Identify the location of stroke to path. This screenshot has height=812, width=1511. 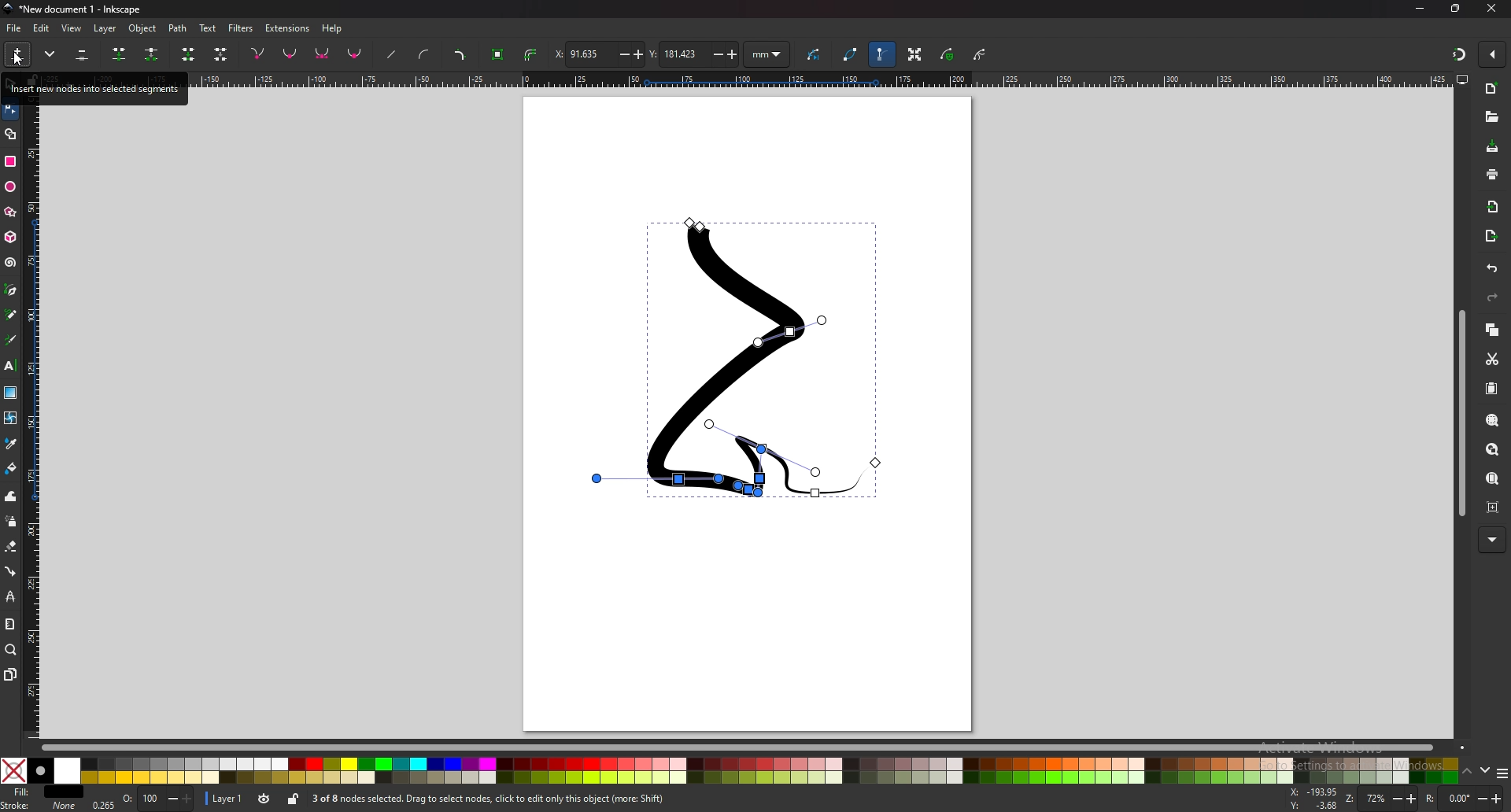
(531, 54).